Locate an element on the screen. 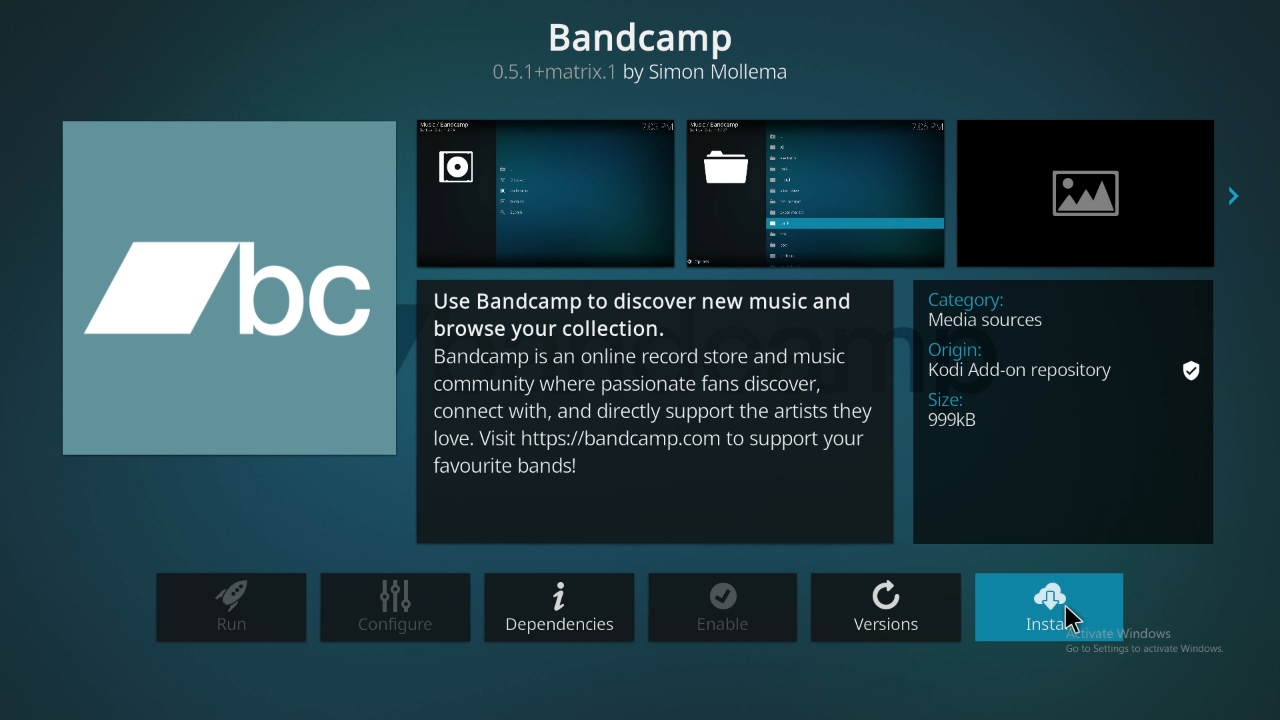  enable is located at coordinates (720, 605).